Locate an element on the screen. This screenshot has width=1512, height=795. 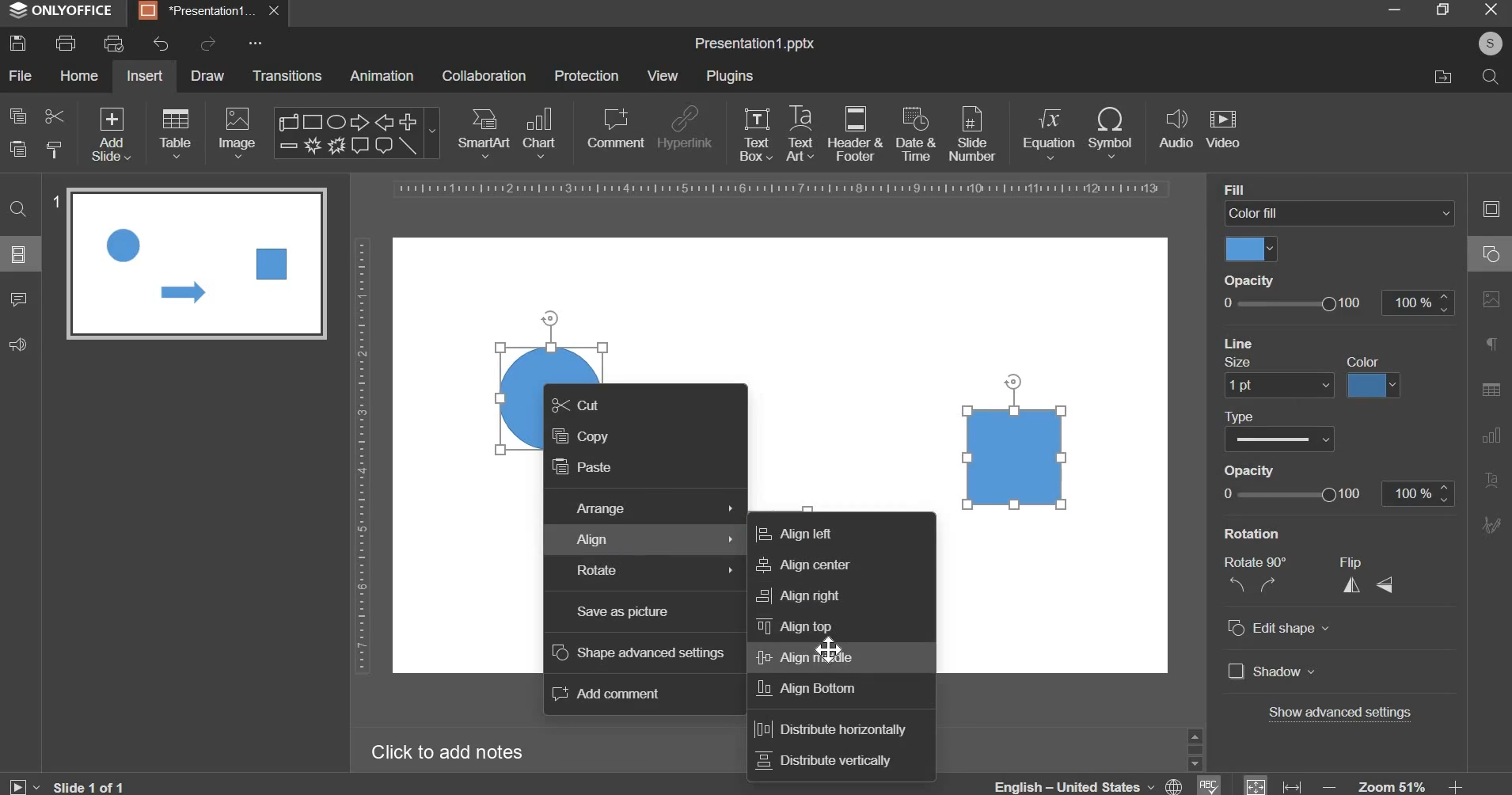
slide number is located at coordinates (971, 132).